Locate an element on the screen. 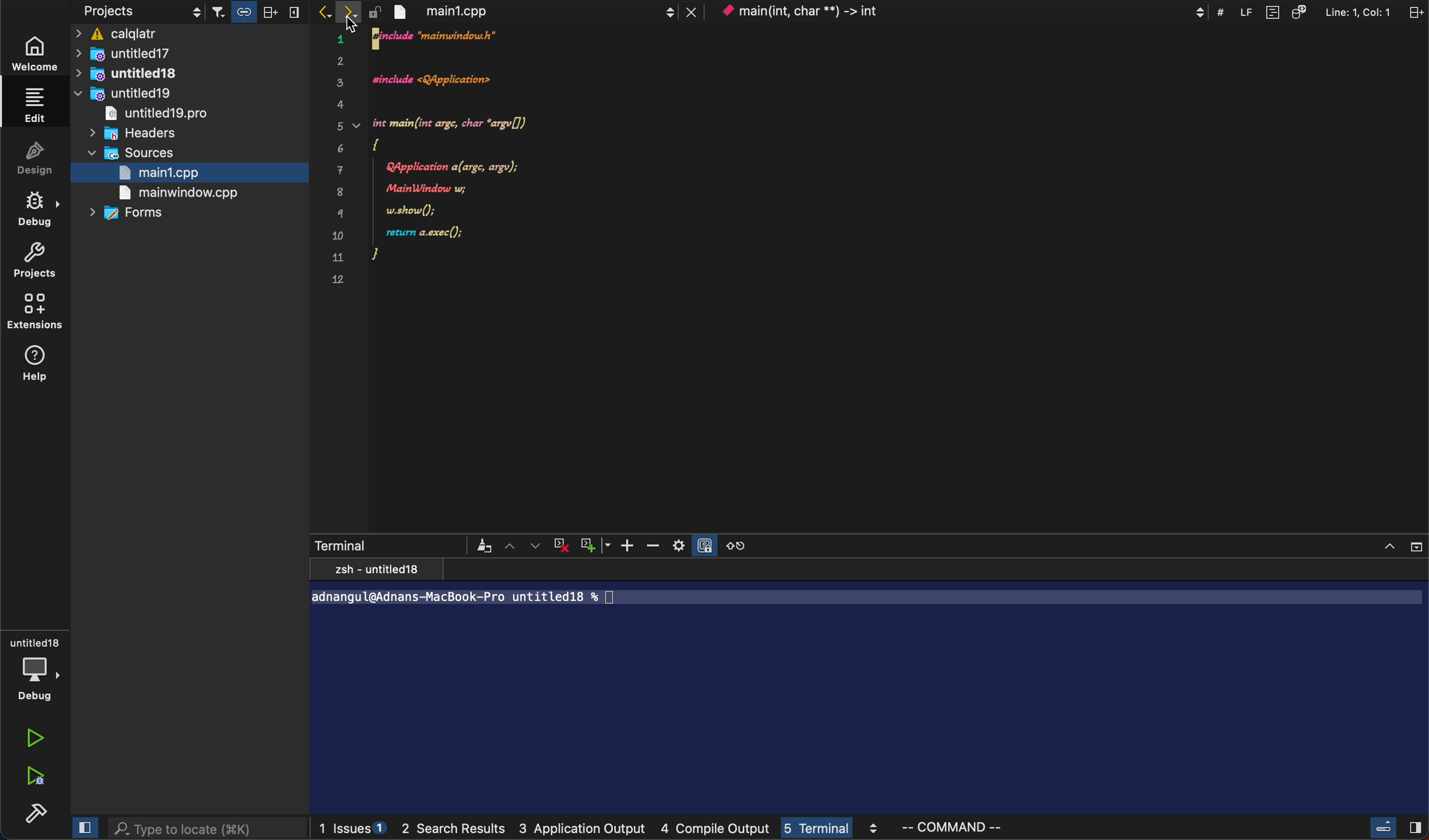  arrow down is located at coordinates (535, 546).